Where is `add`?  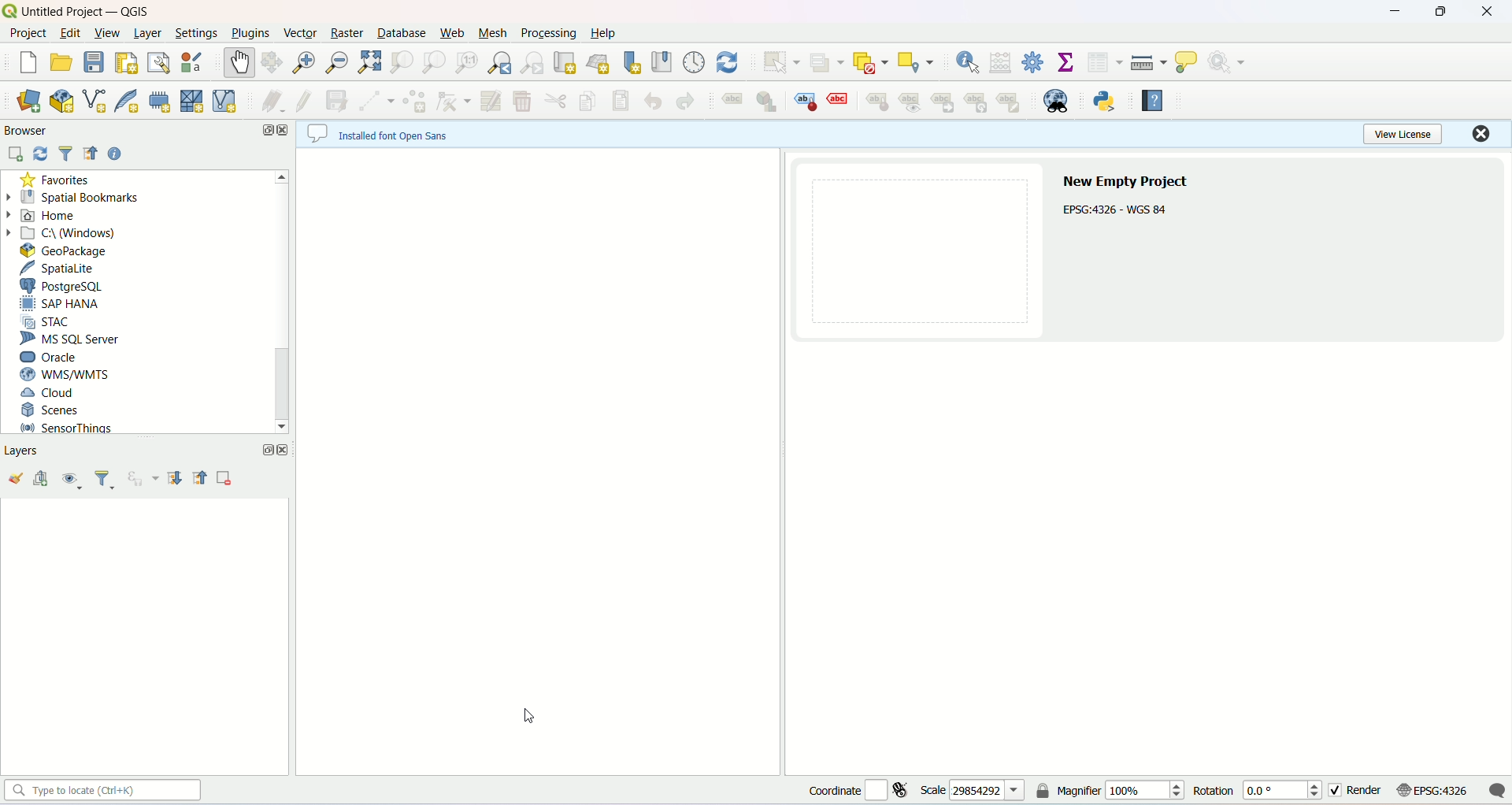 add is located at coordinates (16, 154).